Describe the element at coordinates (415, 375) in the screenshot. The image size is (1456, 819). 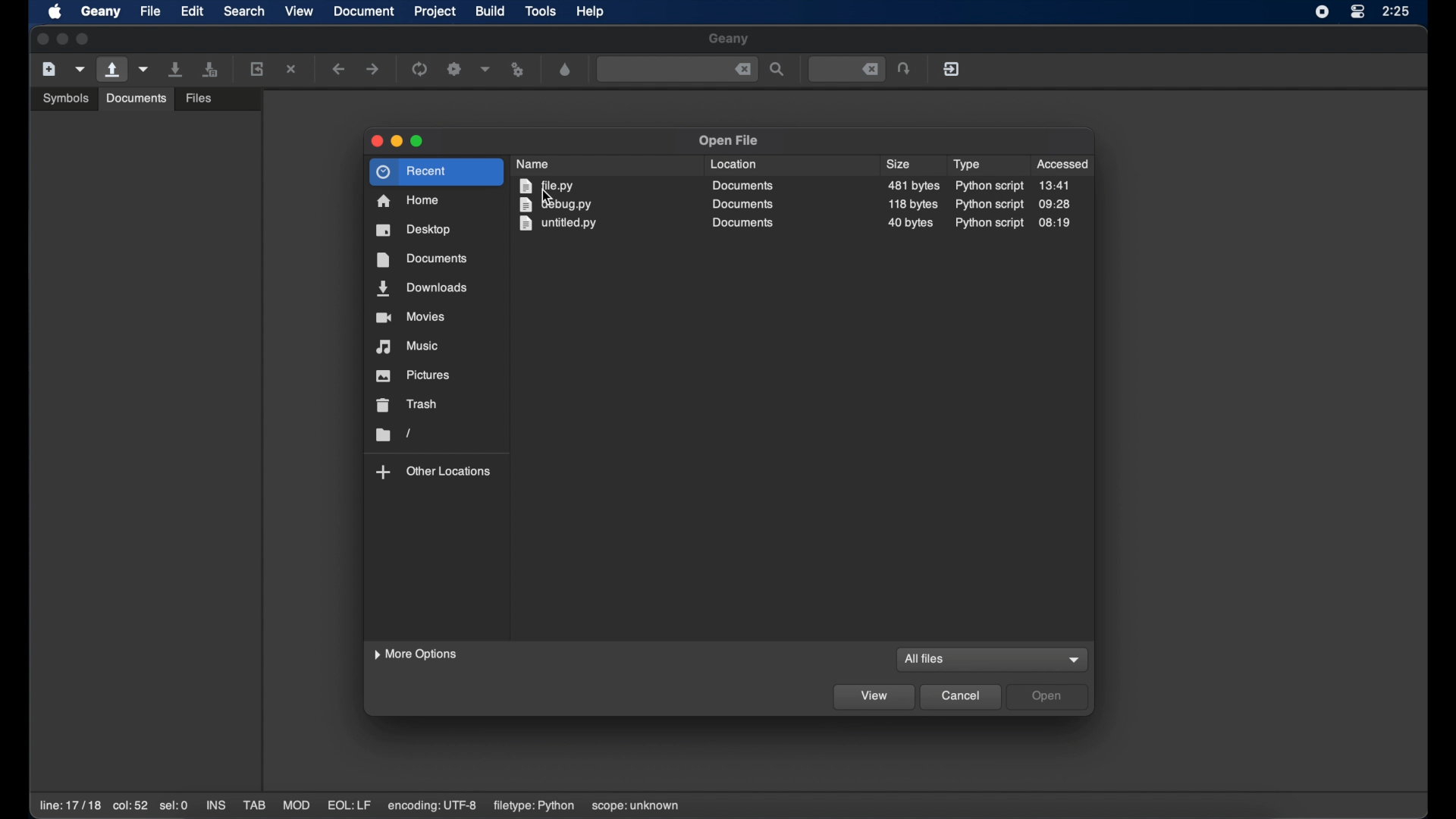
I see `pictures` at that location.